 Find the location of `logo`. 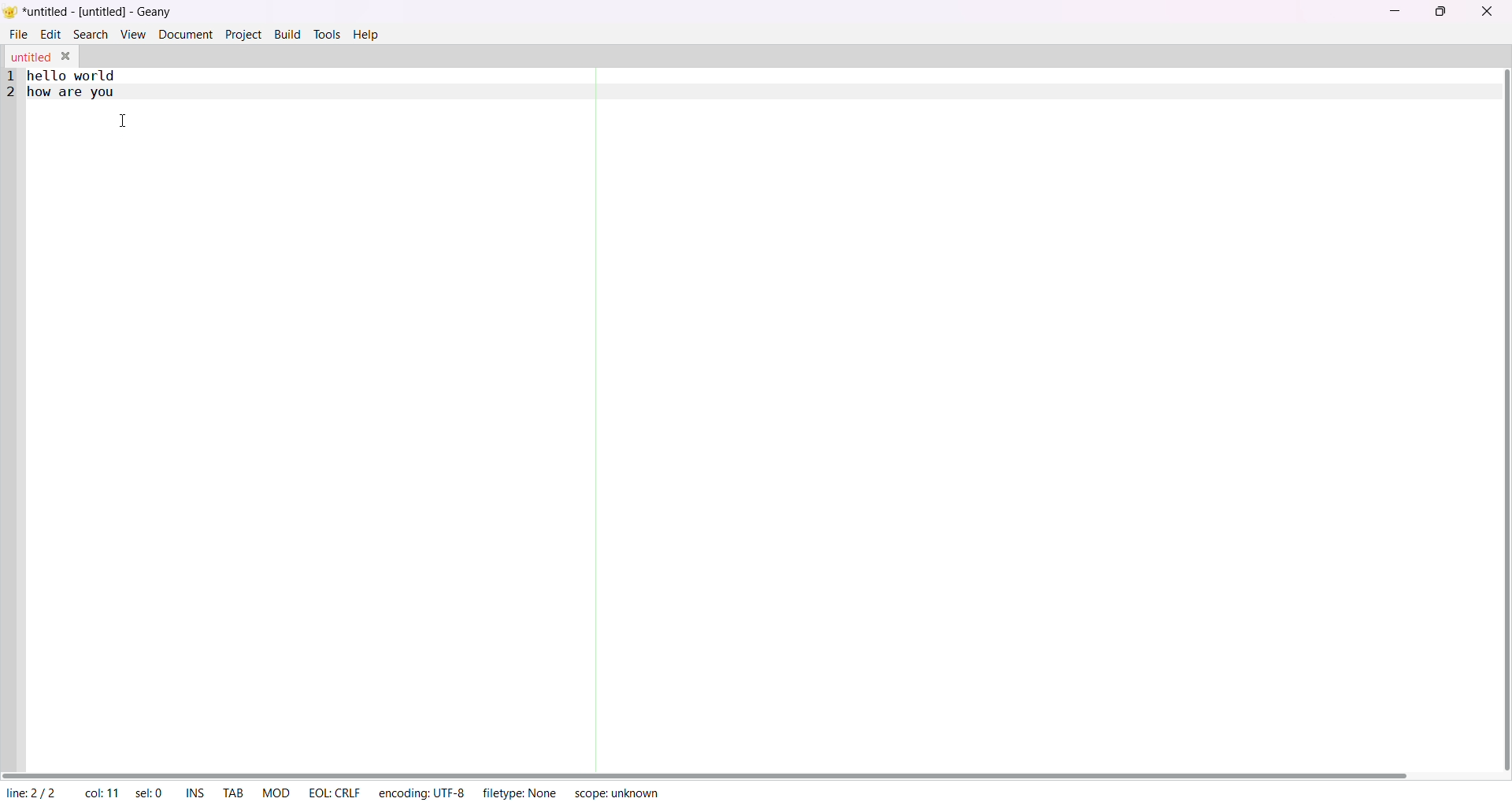

logo is located at coordinates (12, 11).